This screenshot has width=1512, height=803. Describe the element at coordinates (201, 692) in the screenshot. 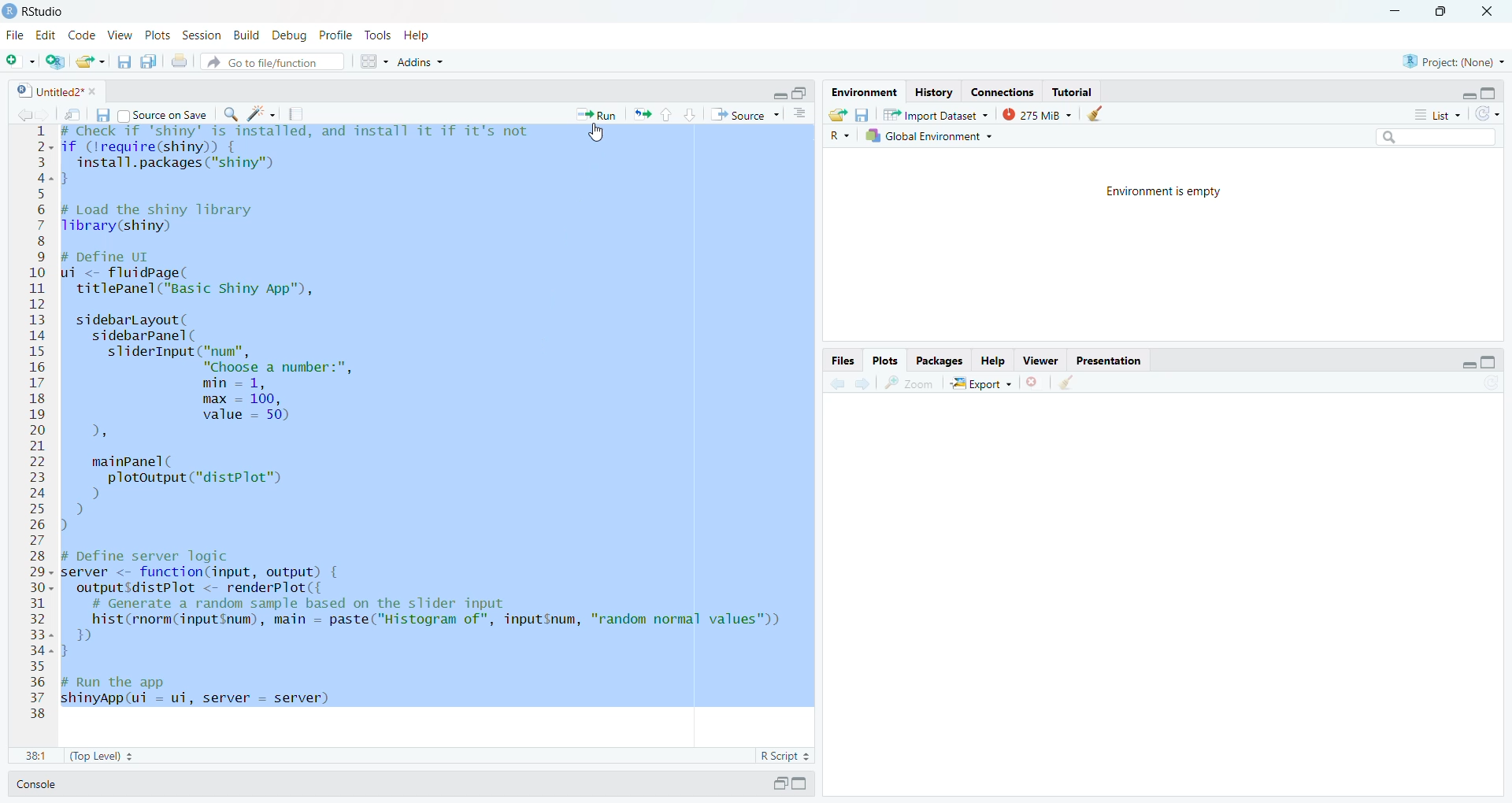

I see `# Run the app
shinyApp(ui = ui, server = server)` at that location.